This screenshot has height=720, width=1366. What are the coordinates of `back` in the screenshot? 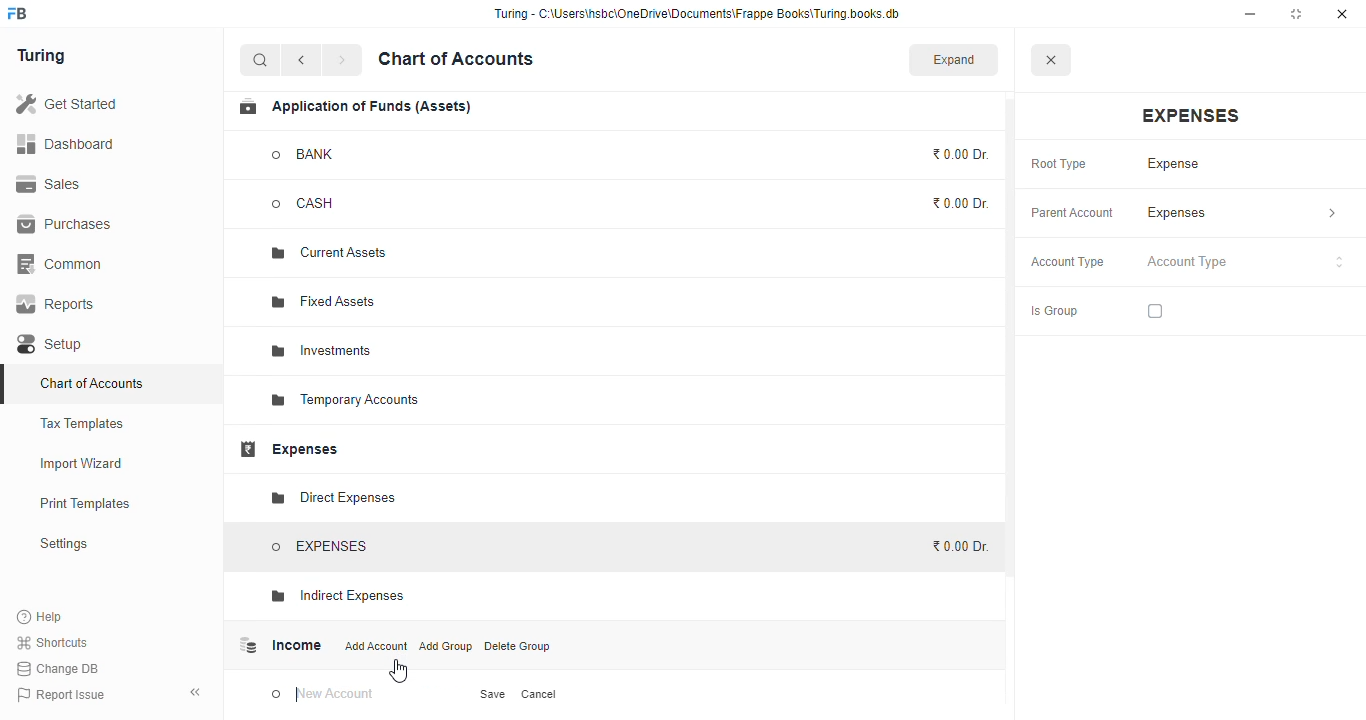 It's located at (301, 60).